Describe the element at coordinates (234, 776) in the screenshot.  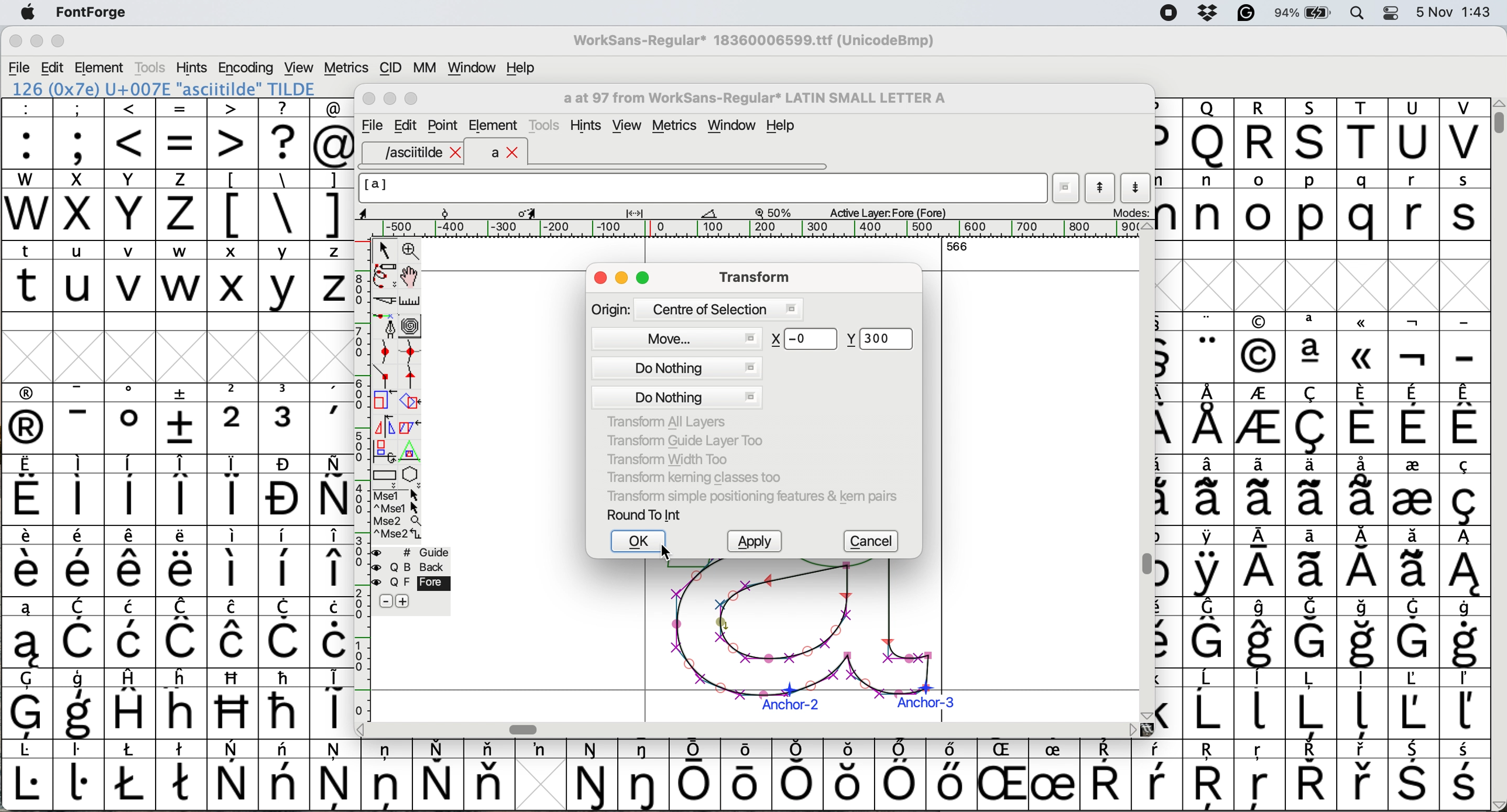
I see `symbol` at that location.